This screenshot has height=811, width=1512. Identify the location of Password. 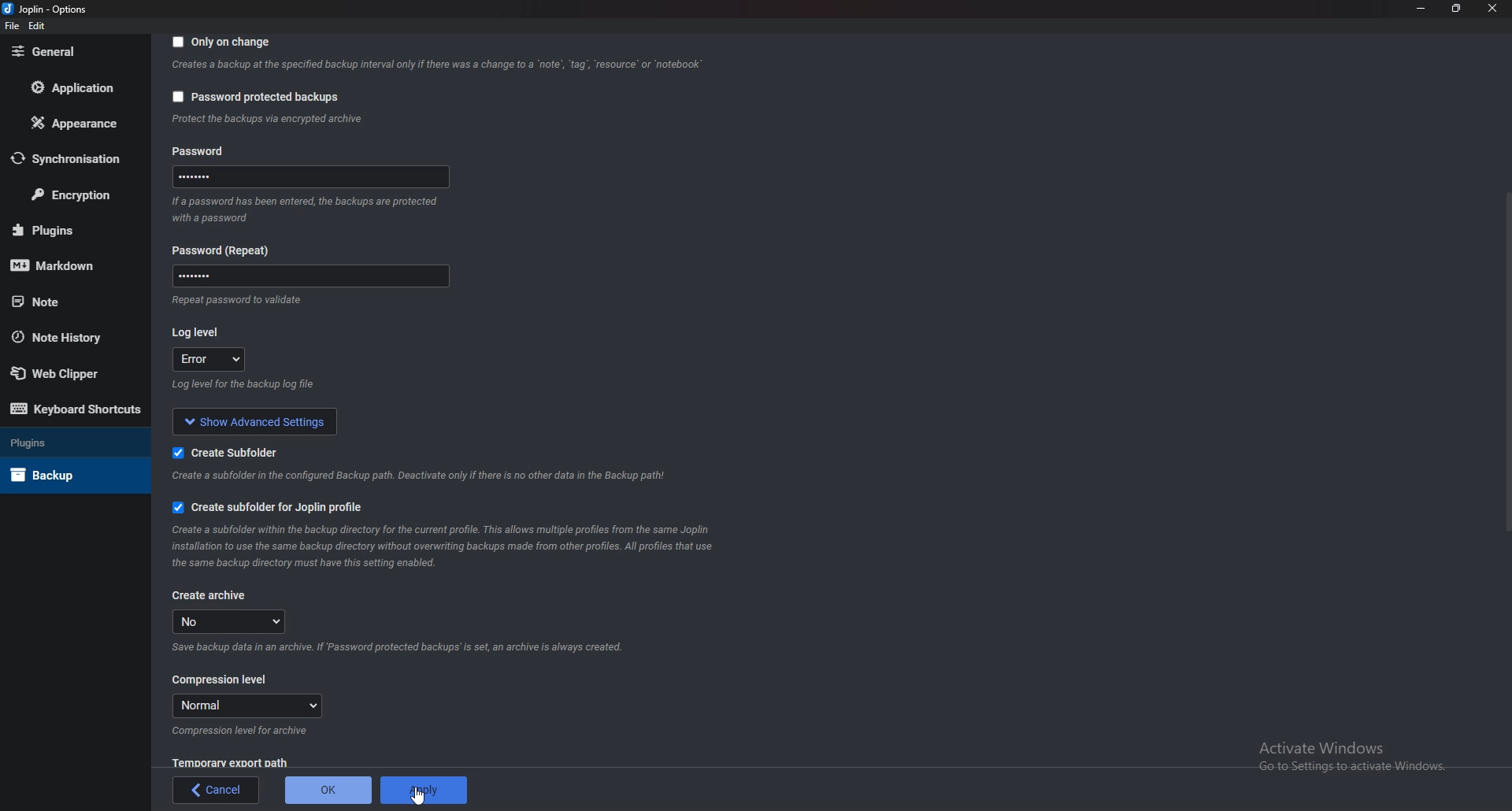
(222, 150).